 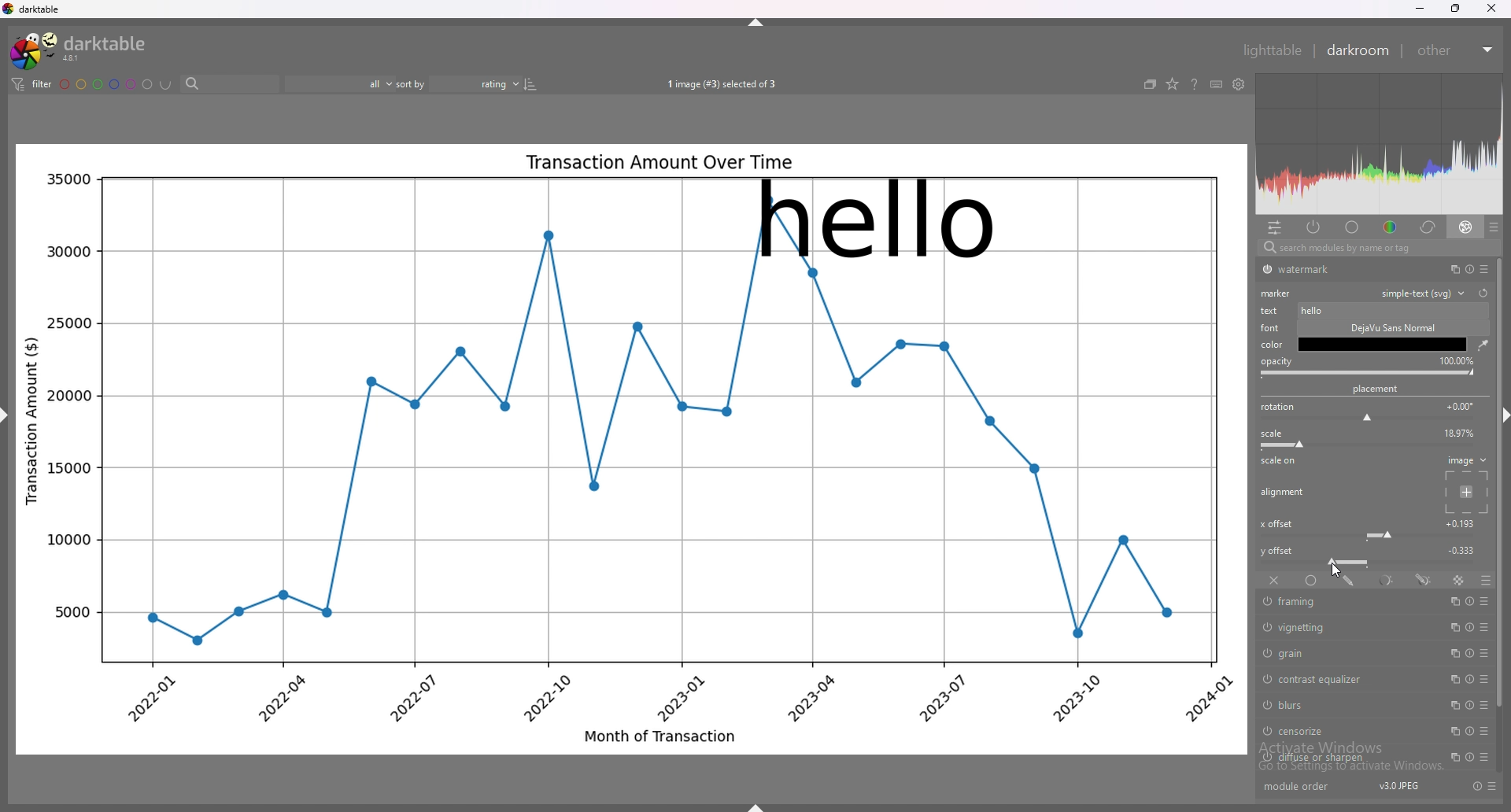 I want to click on multiple instances action, so click(x=1450, y=269).